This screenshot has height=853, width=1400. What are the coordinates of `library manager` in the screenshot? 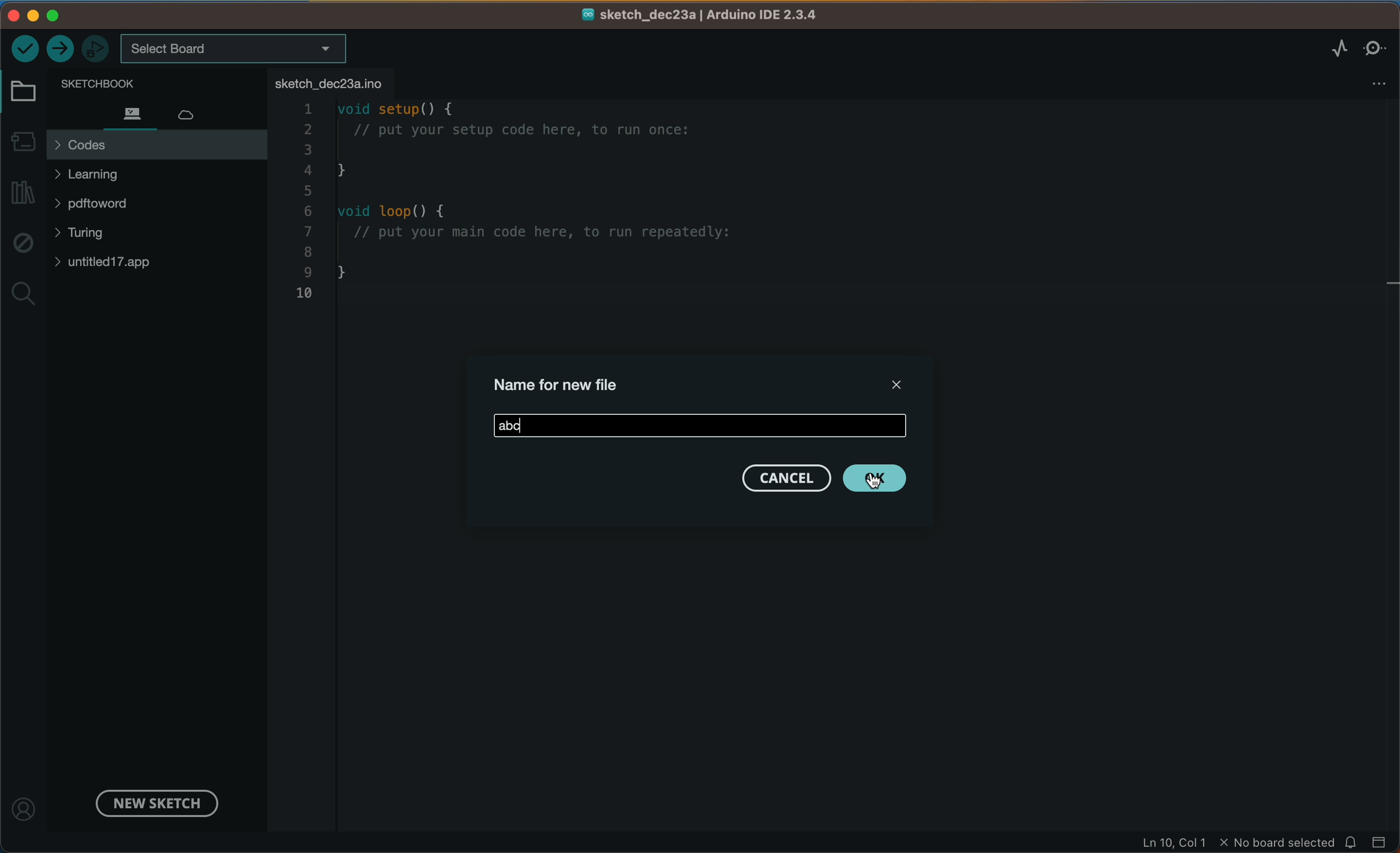 It's located at (24, 193).